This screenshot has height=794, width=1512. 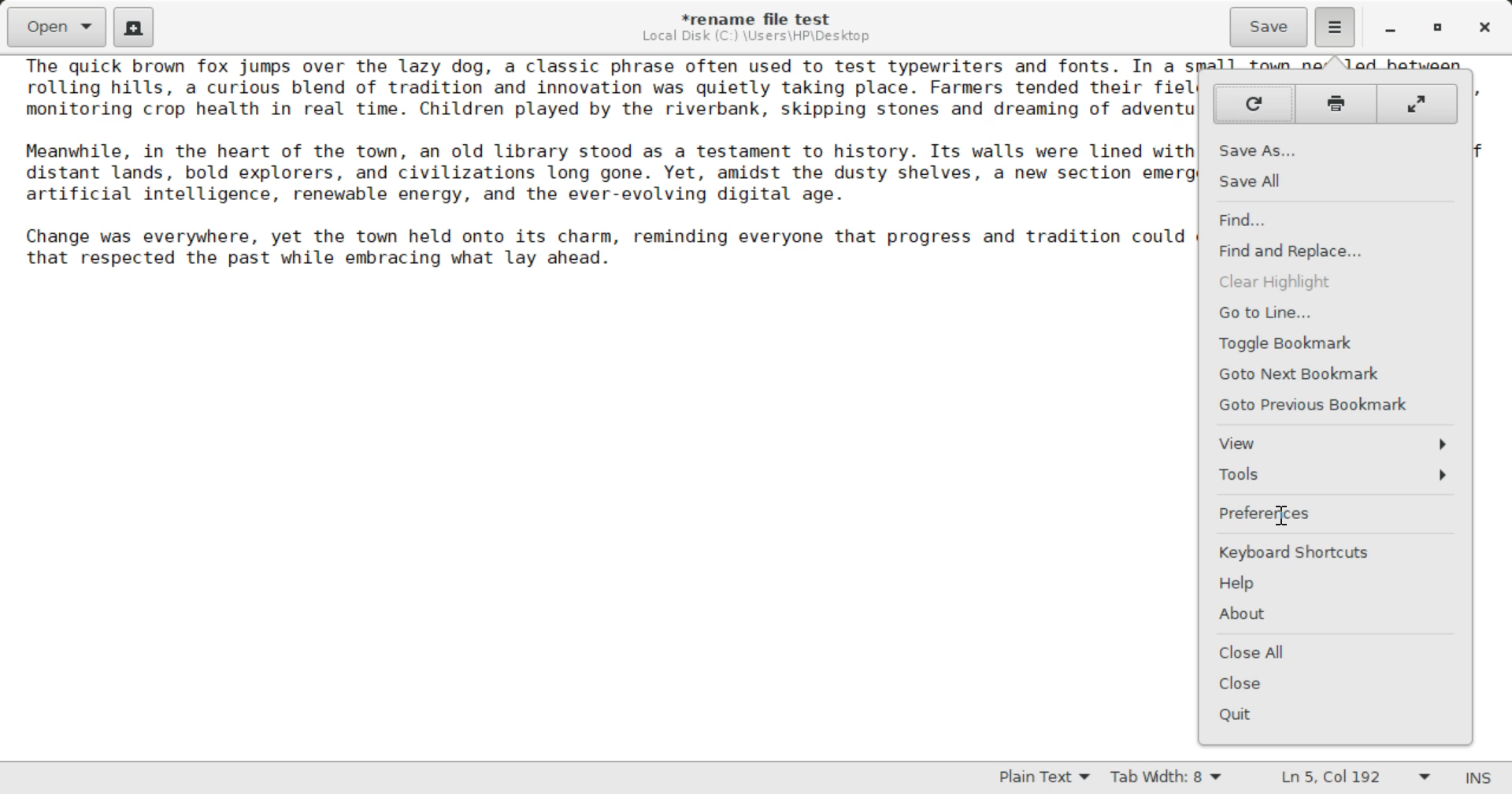 I want to click on File Name , so click(x=761, y=17).